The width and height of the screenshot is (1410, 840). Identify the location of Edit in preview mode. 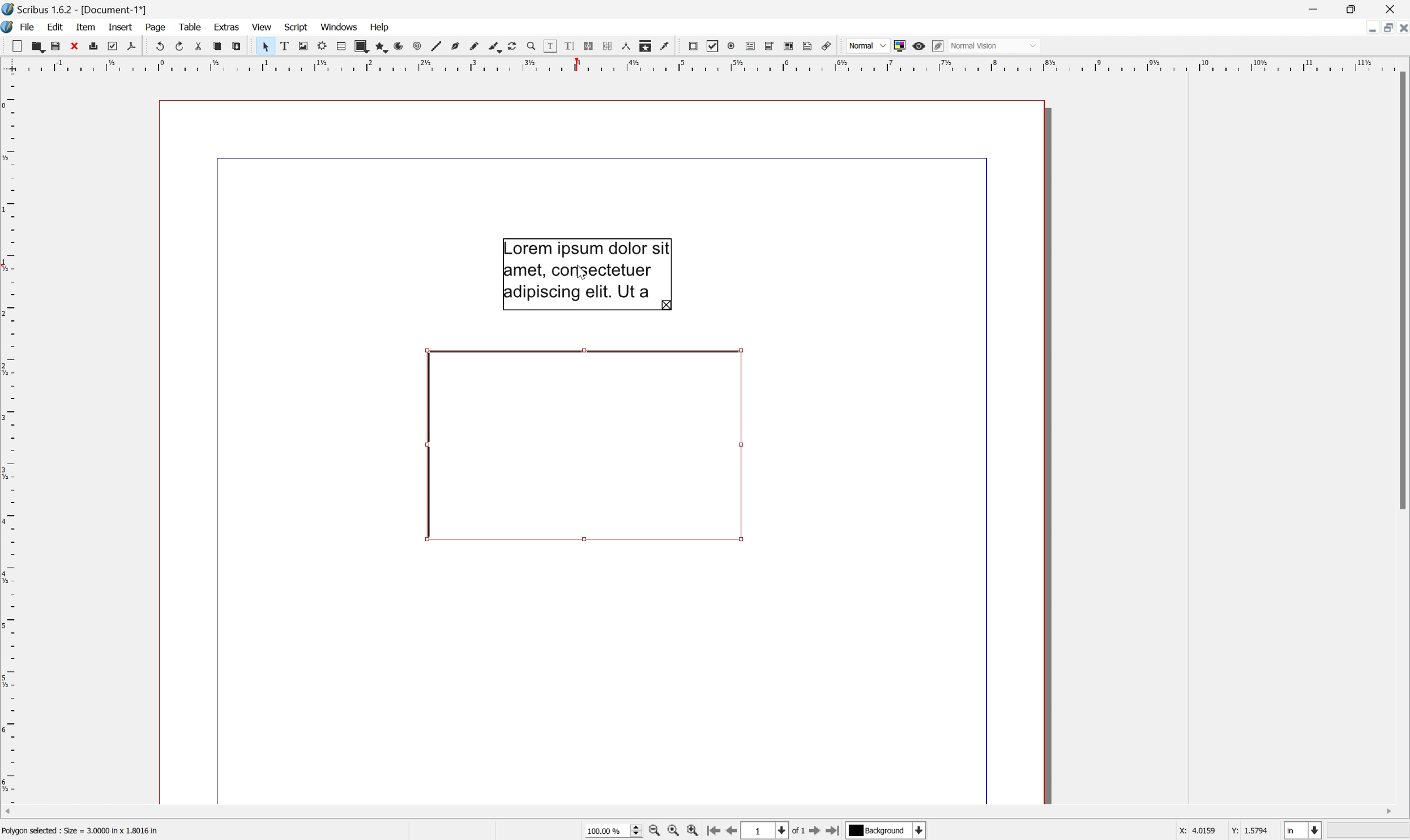
(939, 45).